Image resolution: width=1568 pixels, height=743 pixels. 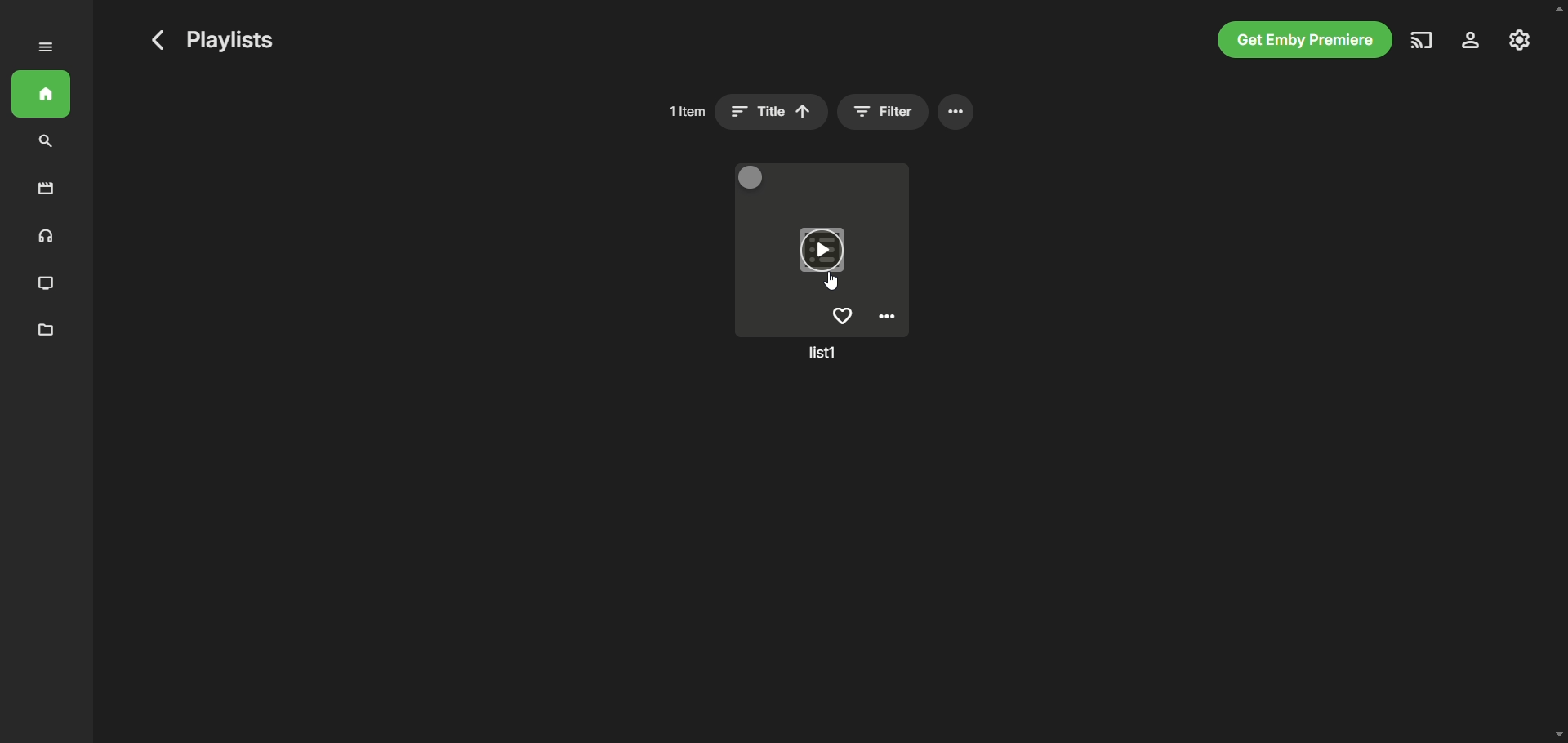 I want to click on expand, so click(x=46, y=47).